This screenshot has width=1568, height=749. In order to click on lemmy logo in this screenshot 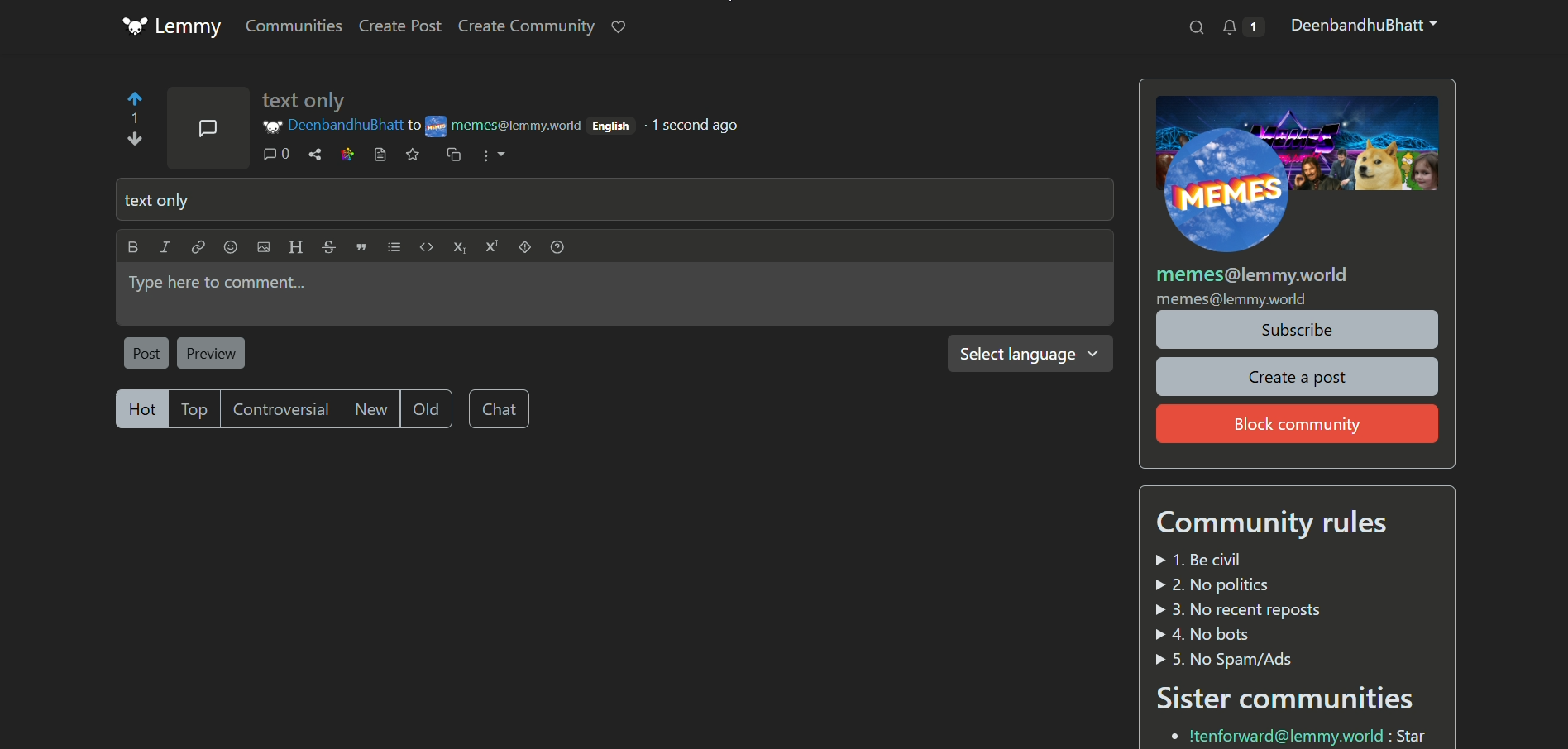, I will do `click(173, 26)`.